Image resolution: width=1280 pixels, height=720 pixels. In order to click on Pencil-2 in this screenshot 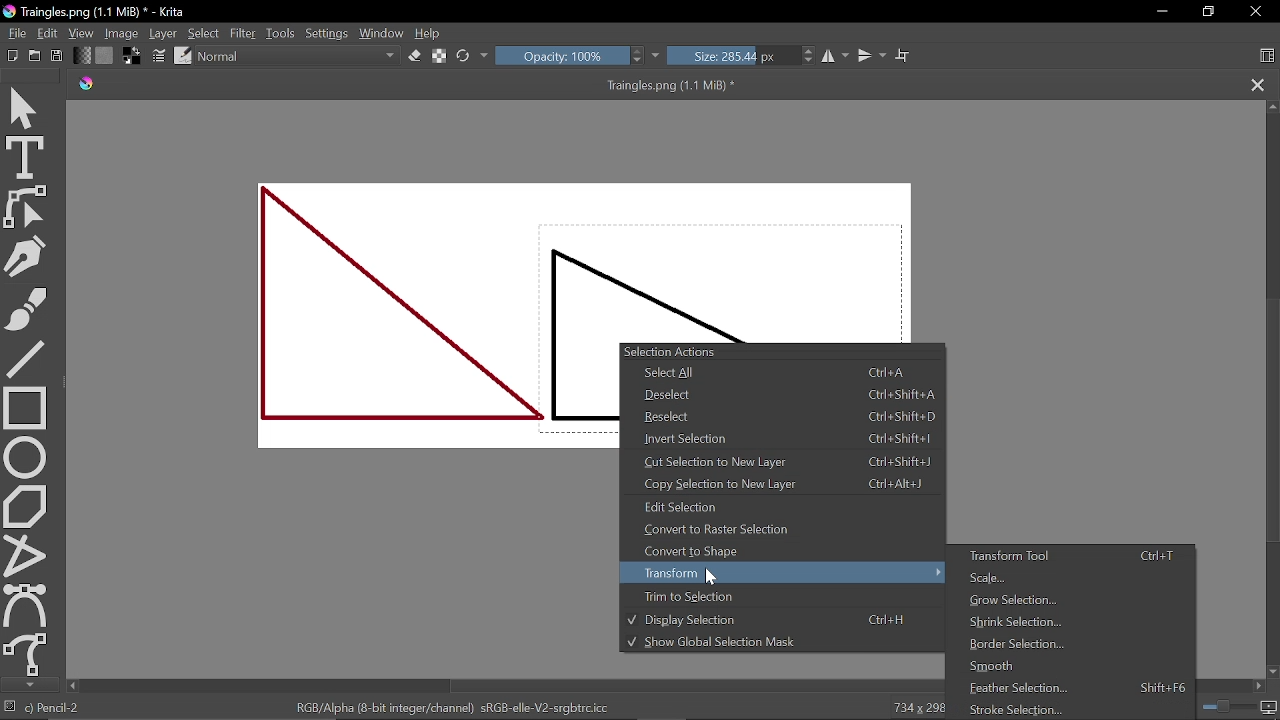, I will do `click(57, 708)`.